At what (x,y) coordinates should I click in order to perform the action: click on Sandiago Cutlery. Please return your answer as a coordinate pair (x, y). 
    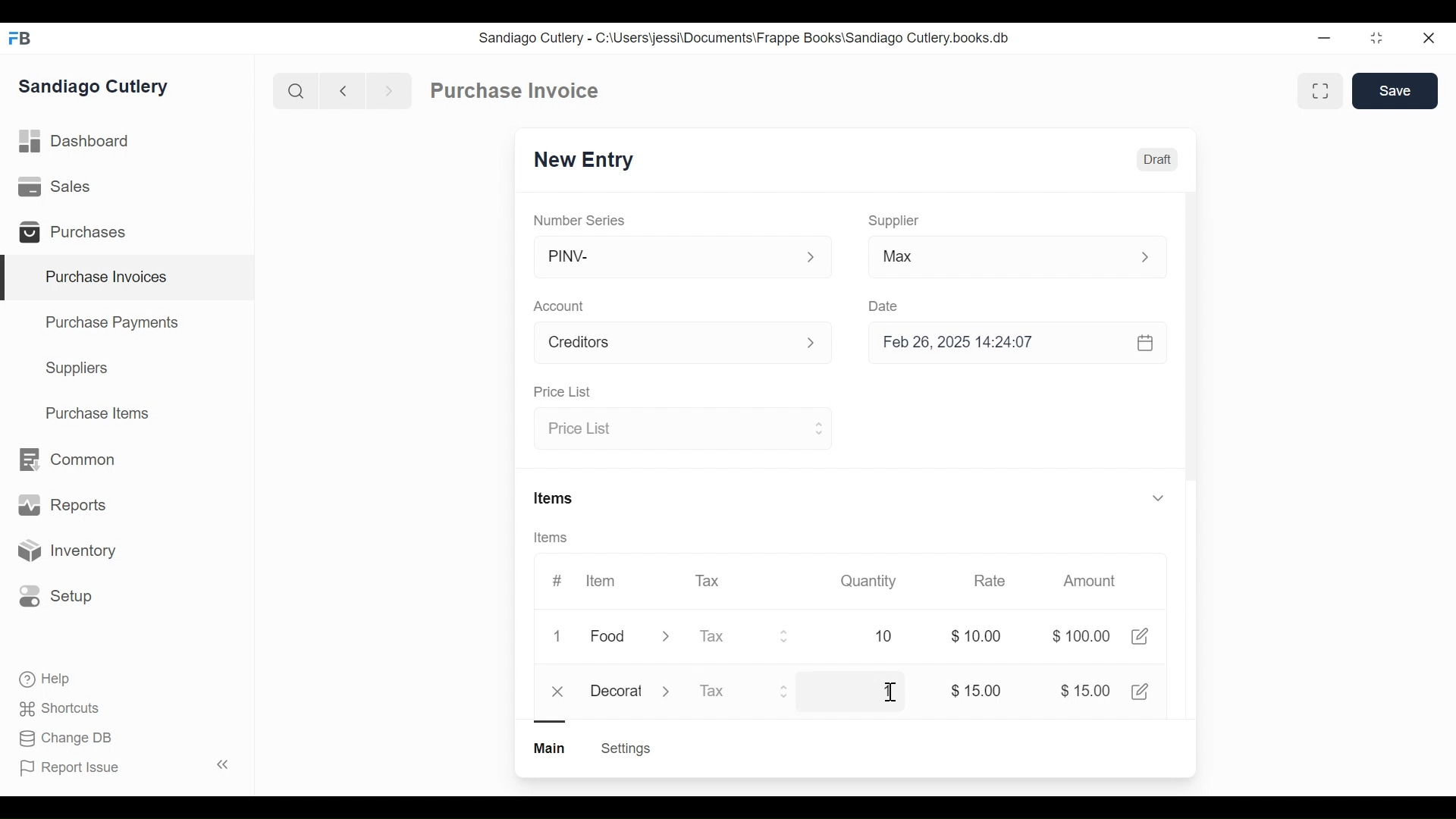
    Looking at the image, I should click on (96, 88).